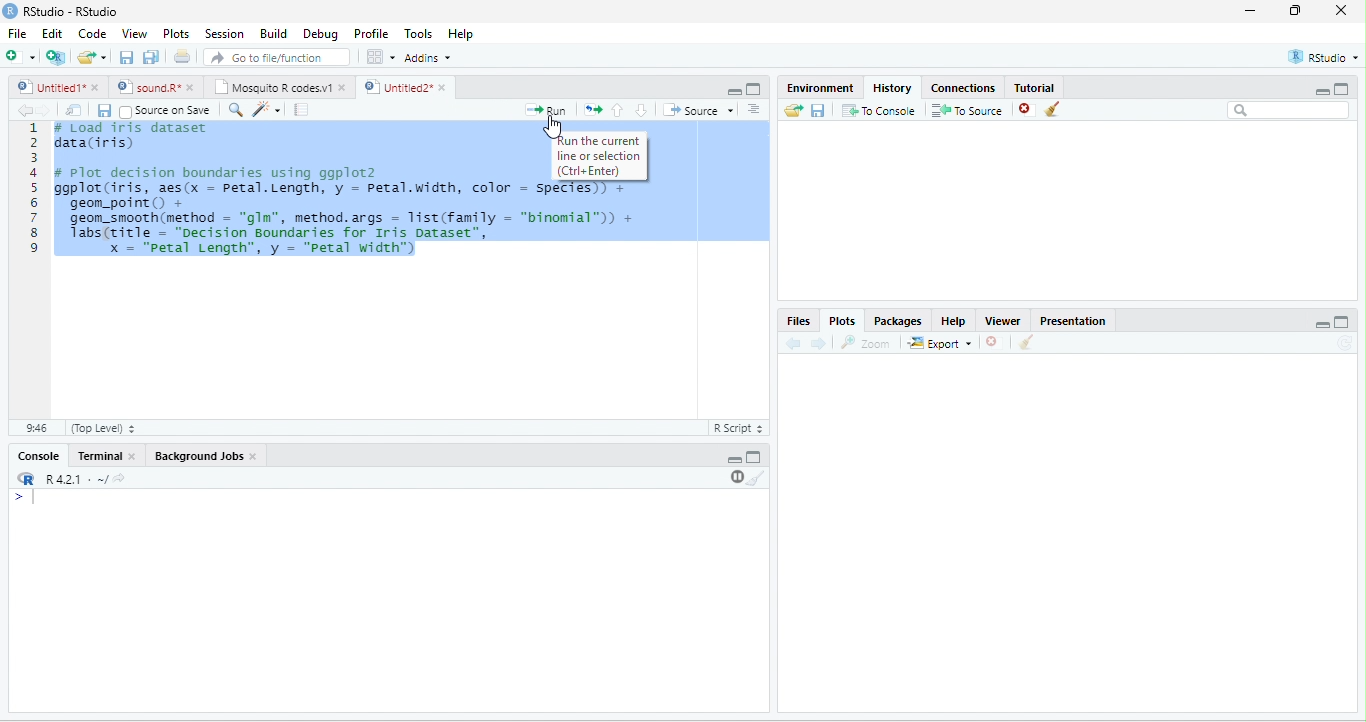 The height and width of the screenshot is (722, 1366). I want to click on down, so click(641, 110).